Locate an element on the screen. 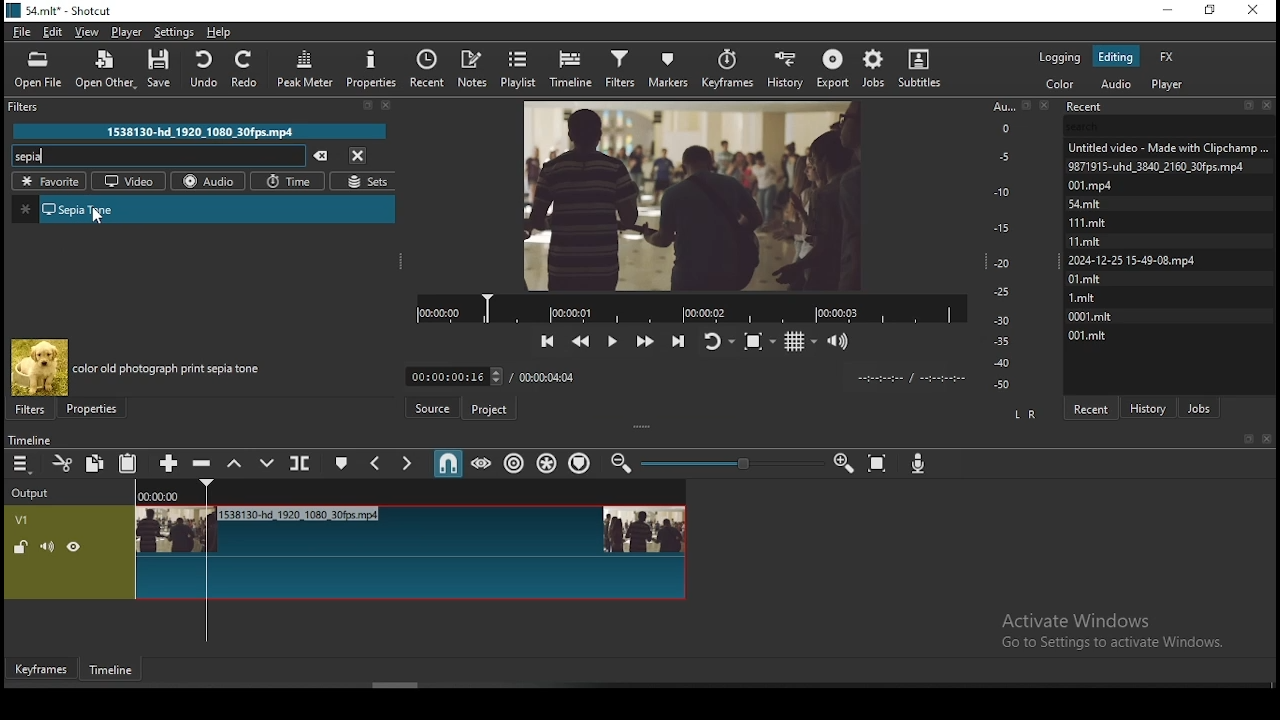 The width and height of the screenshot is (1280, 720). paste is located at coordinates (130, 463).